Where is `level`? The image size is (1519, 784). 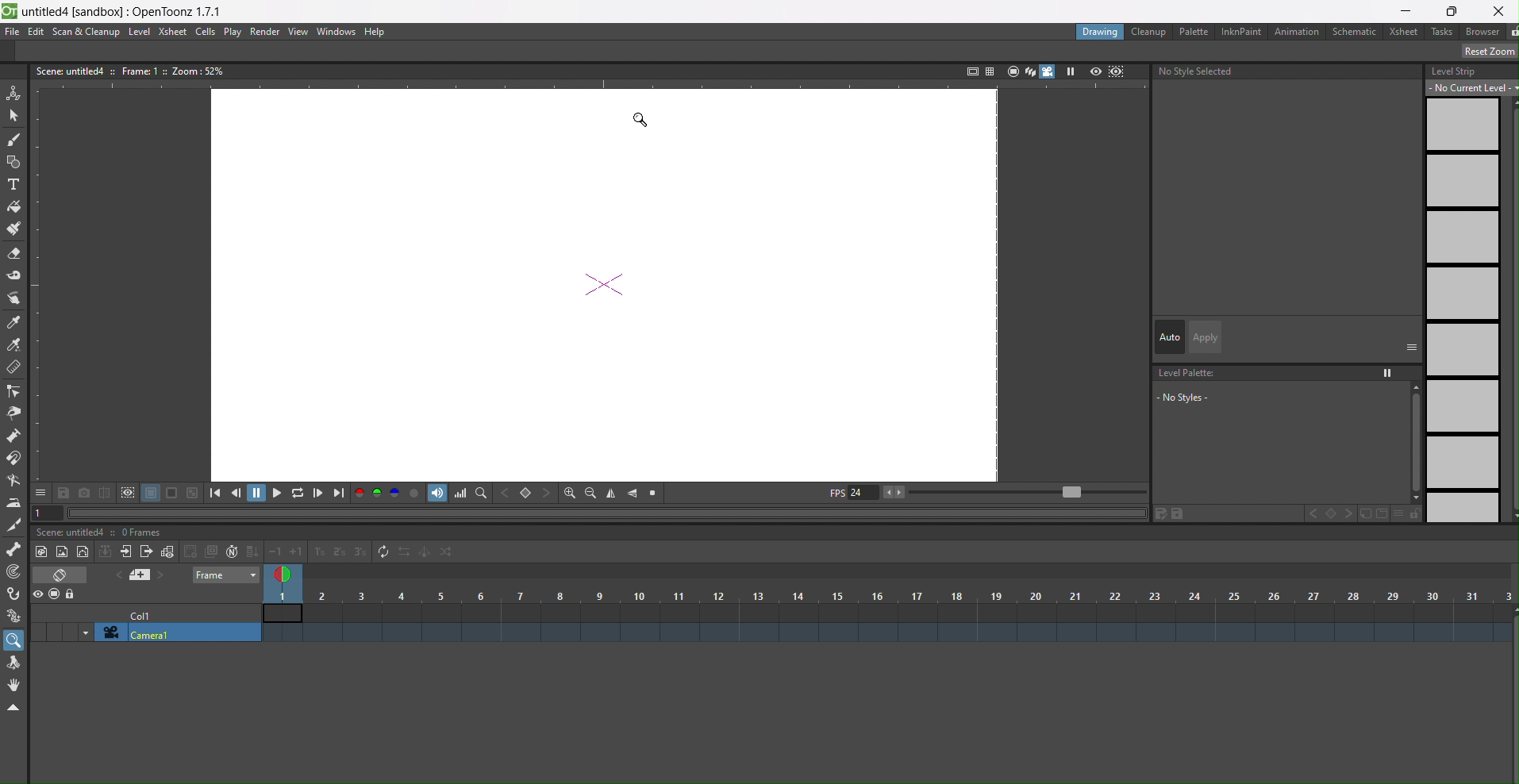
level is located at coordinates (140, 31).